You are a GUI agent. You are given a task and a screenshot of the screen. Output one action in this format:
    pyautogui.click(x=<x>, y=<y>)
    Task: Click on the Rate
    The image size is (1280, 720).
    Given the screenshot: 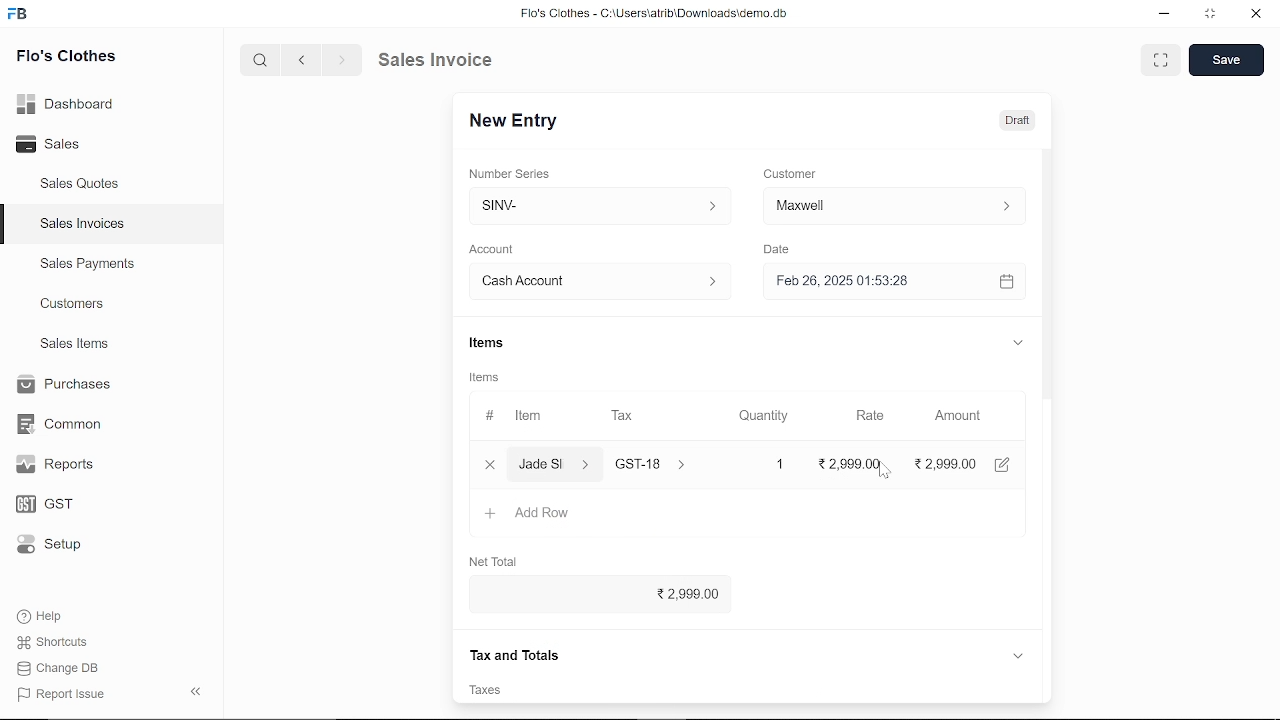 What is the action you would take?
    pyautogui.click(x=863, y=416)
    